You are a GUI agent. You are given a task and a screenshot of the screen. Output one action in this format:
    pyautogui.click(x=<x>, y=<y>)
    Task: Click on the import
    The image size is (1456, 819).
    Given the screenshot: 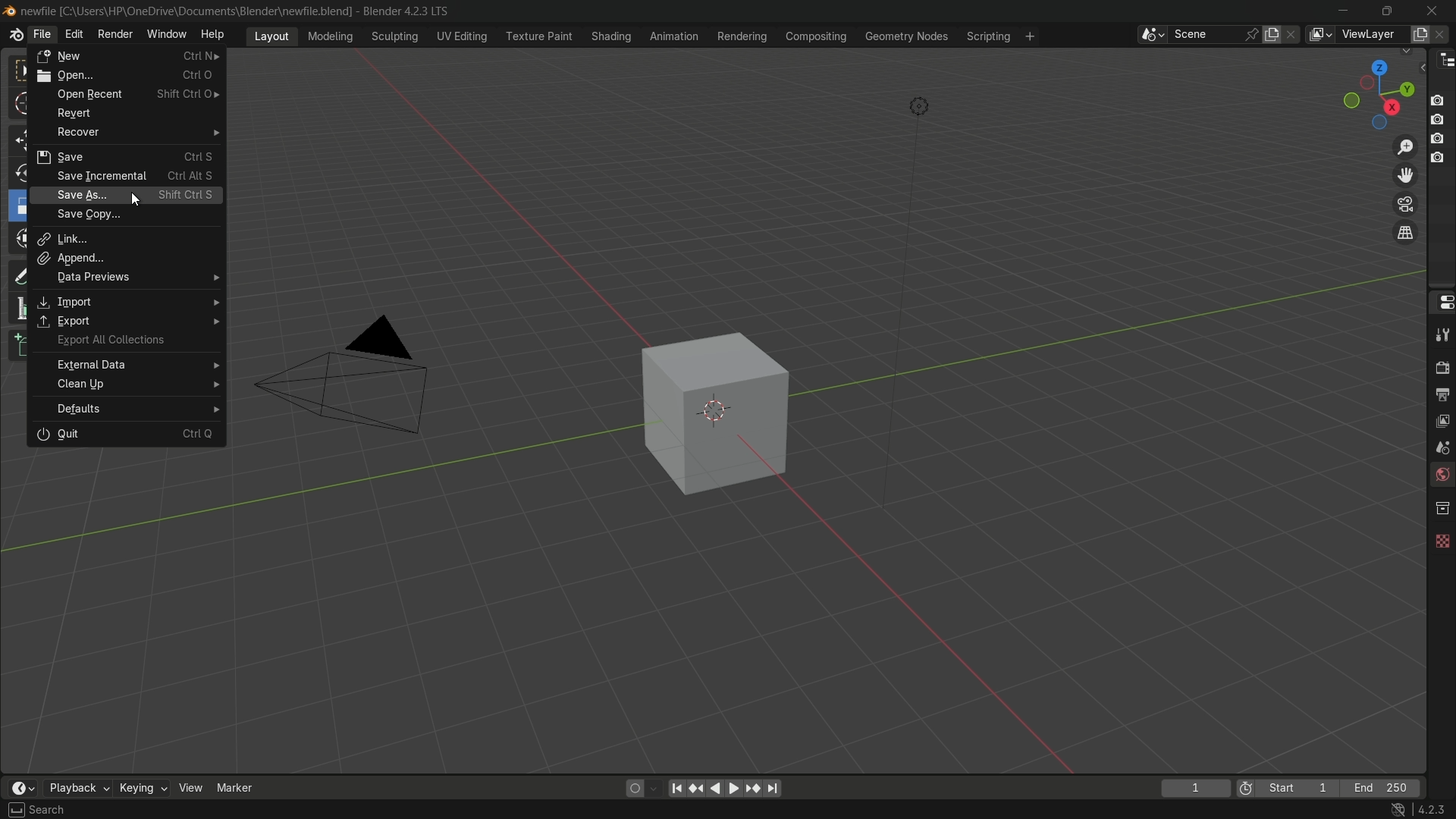 What is the action you would take?
    pyautogui.click(x=126, y=300)
    